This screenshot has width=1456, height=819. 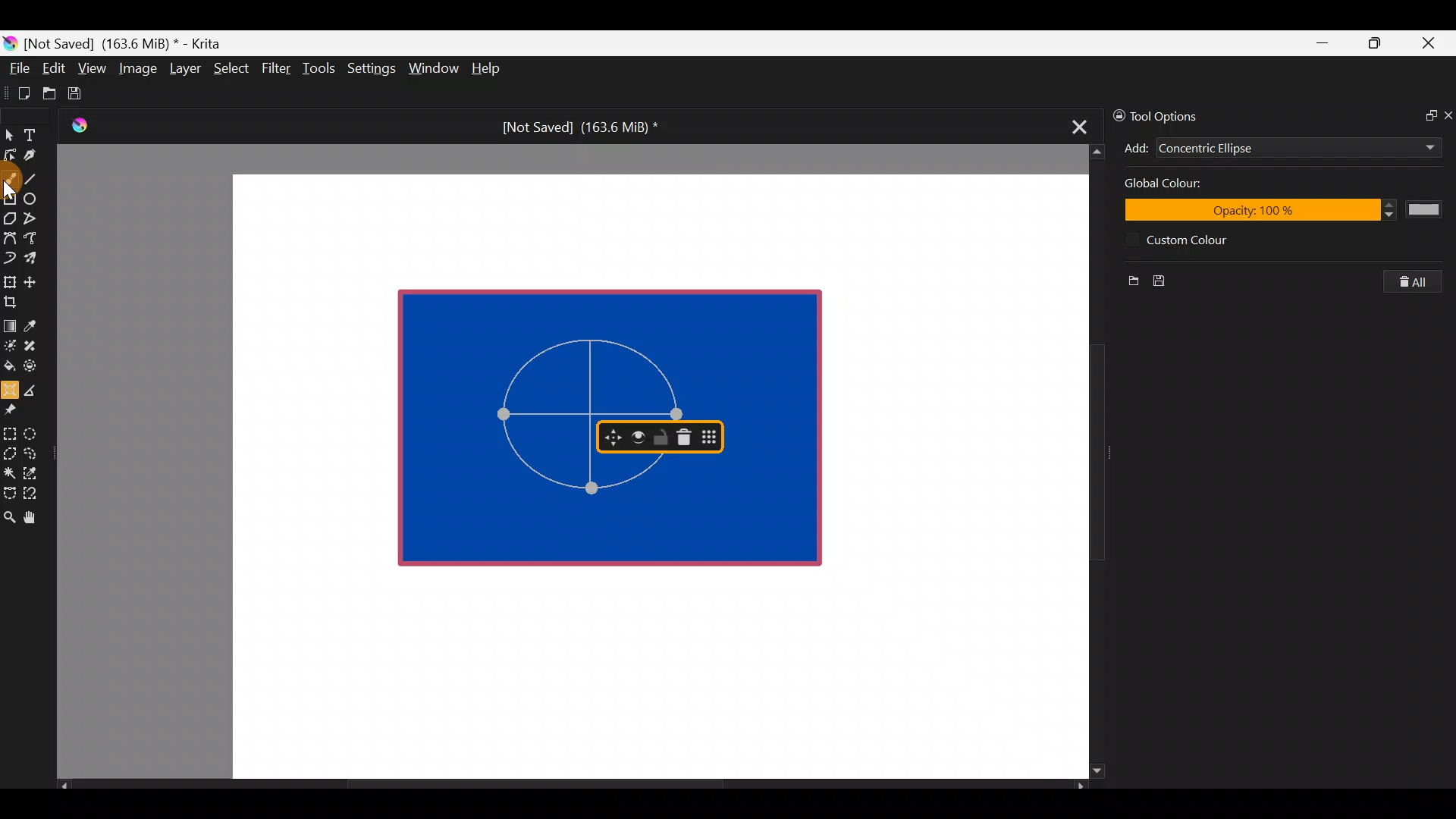 What do you see at coordinates (50, 96) in the screenshot?
I see `Open an existing document` at bounding box center [50, 96].